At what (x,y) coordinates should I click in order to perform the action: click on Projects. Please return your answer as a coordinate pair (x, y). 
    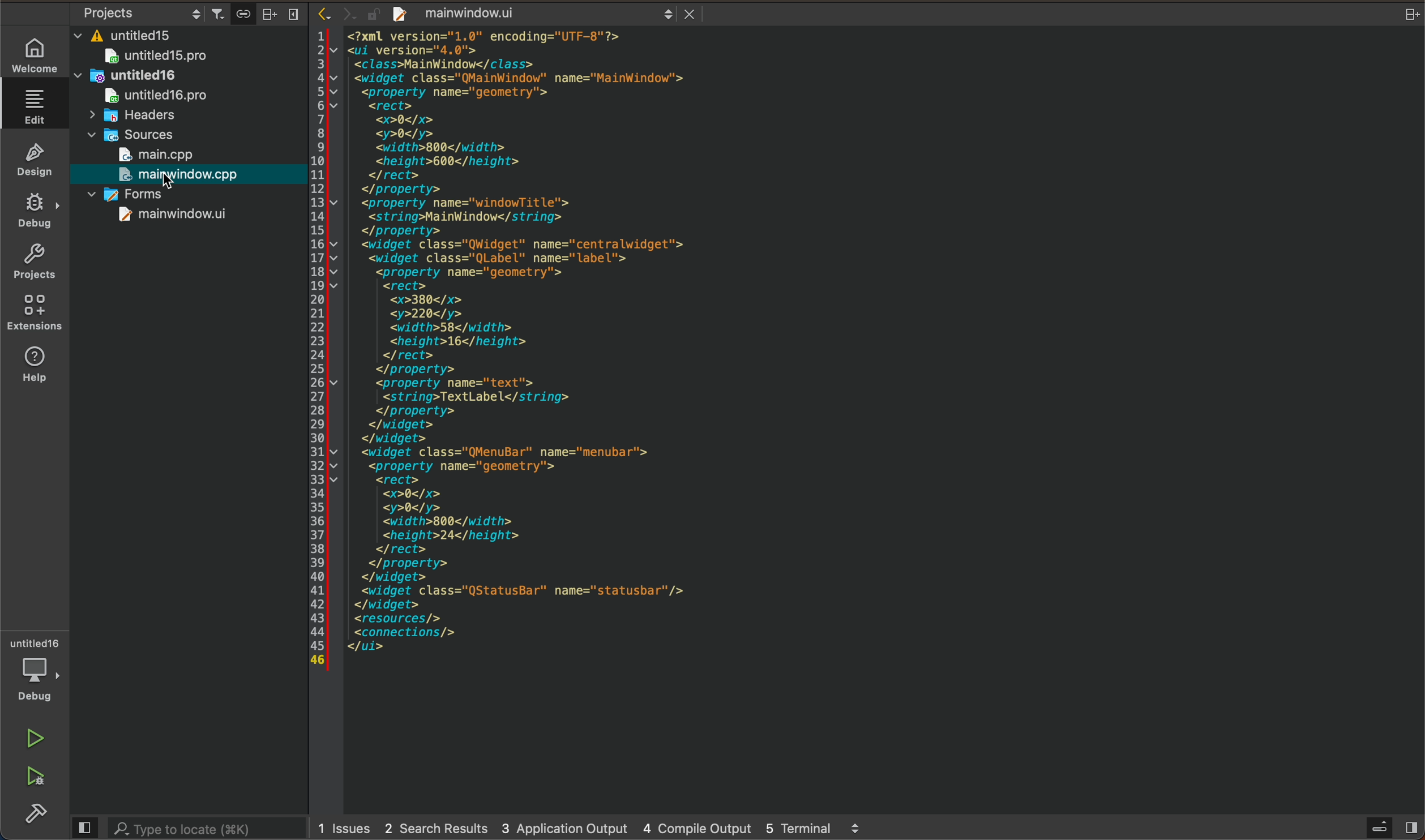
    Looking at the image, I should click on (131, 12).